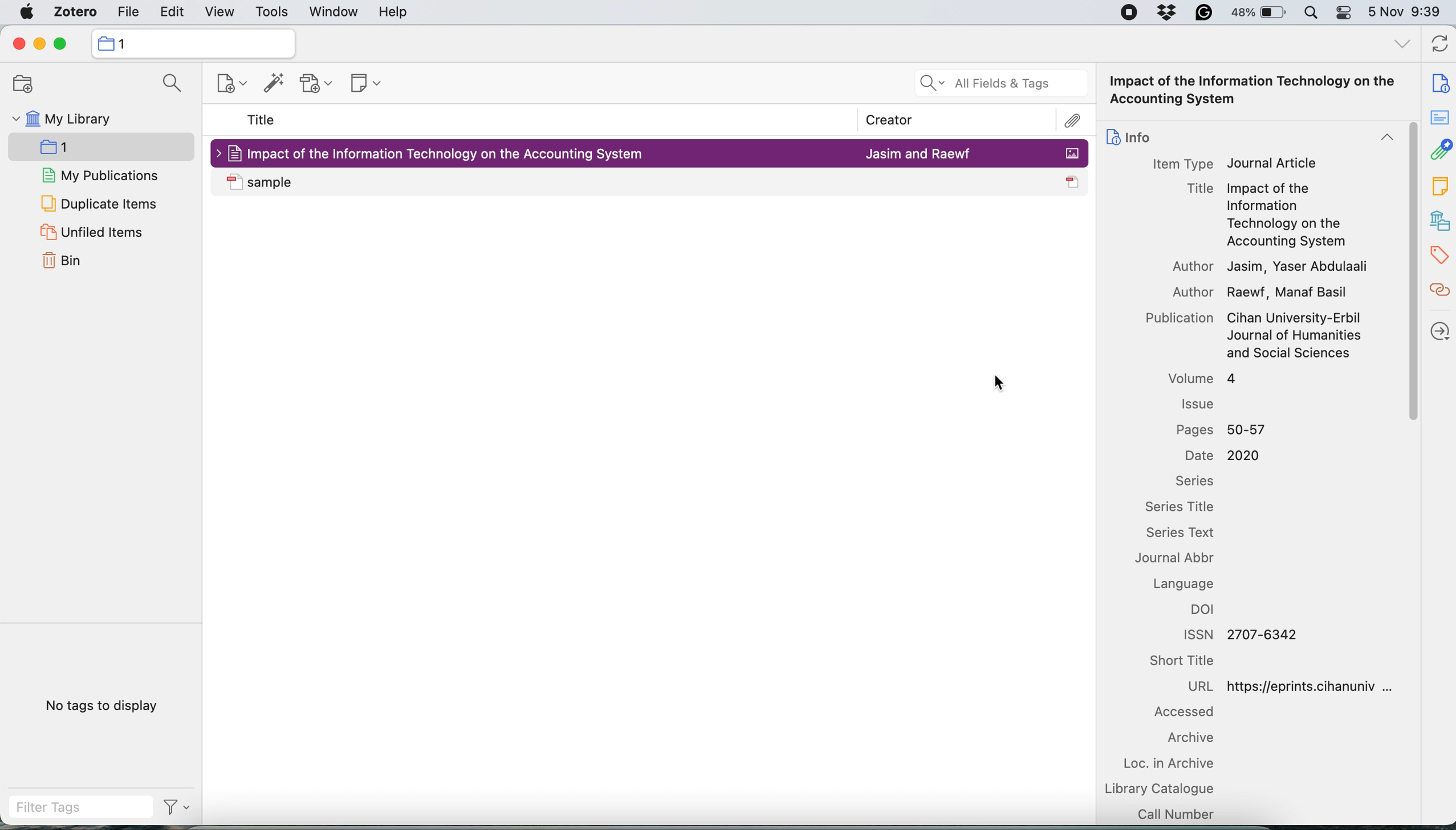  I want to click on screen recorder, so click(1129, 13).